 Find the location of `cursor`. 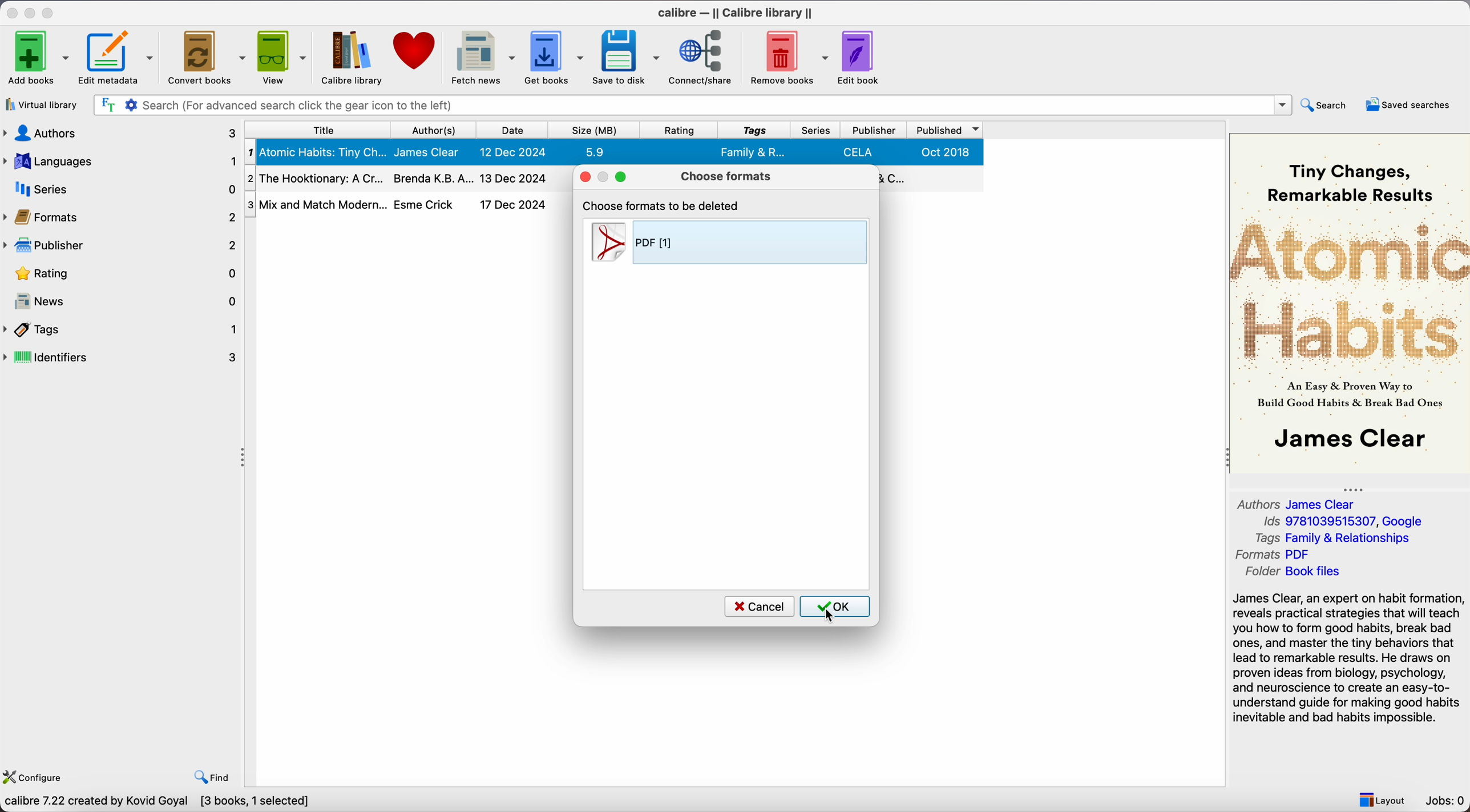

cursor is located at coordinates (831, 616).